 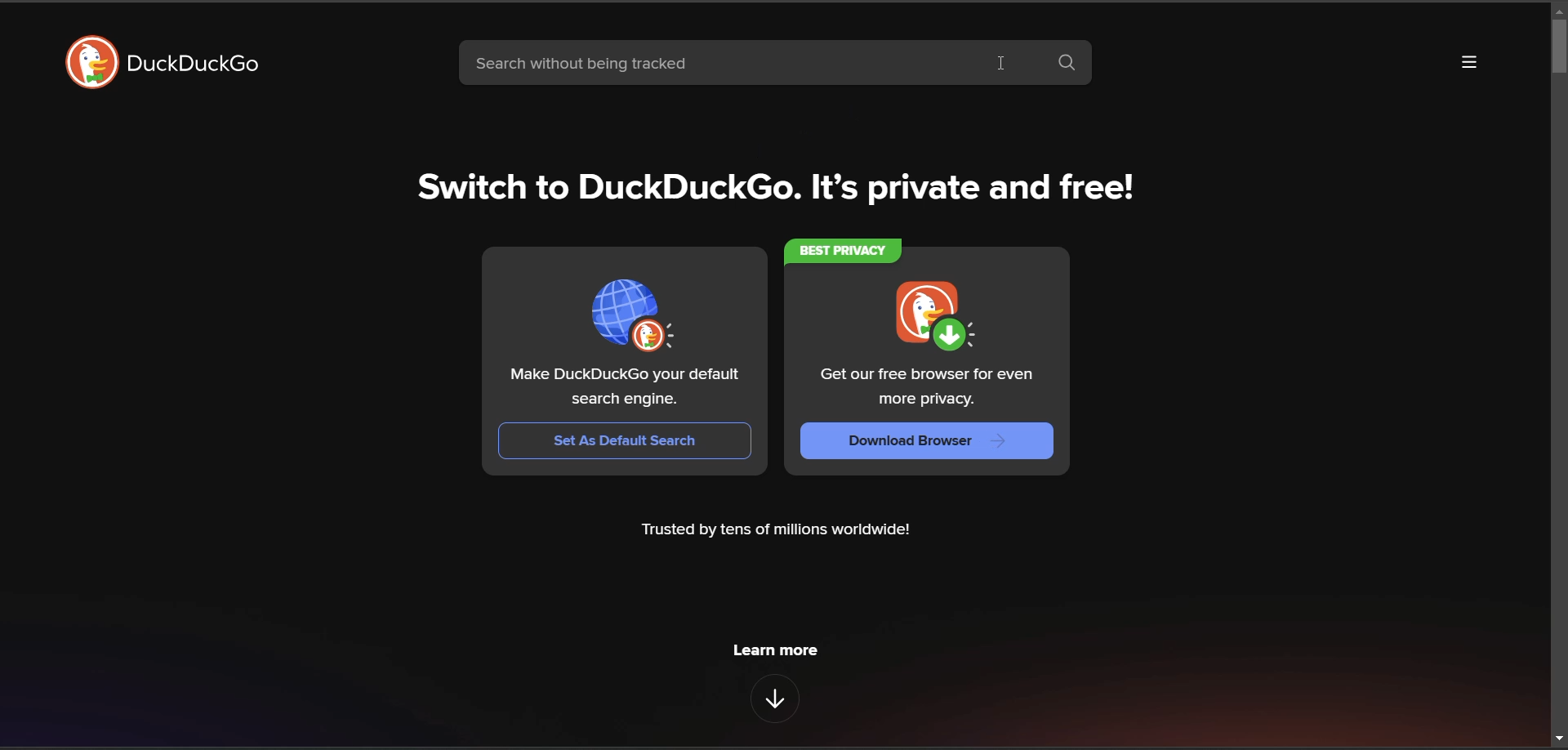 I want to click on Get our free browser for even more privacy., so click(x=920, y=387).